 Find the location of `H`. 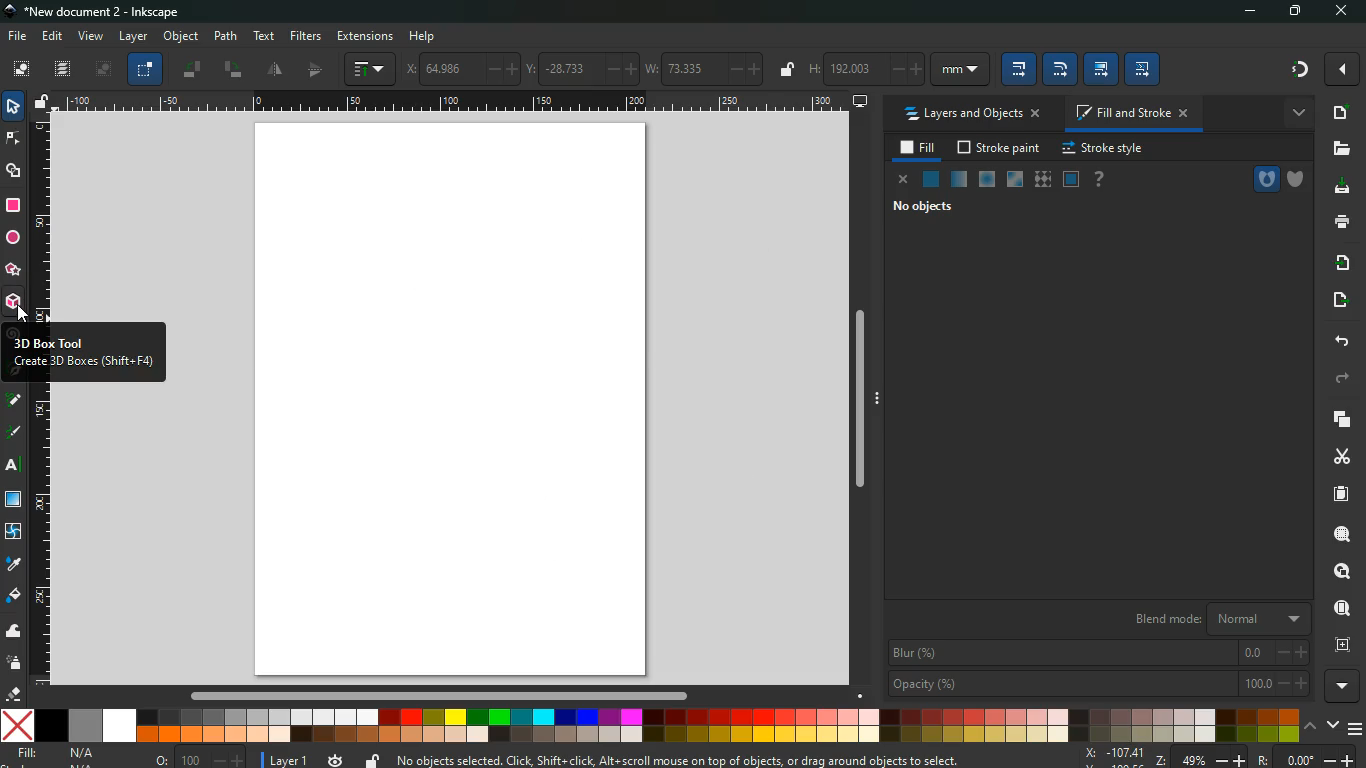

H is located at coordinates (865, 69).